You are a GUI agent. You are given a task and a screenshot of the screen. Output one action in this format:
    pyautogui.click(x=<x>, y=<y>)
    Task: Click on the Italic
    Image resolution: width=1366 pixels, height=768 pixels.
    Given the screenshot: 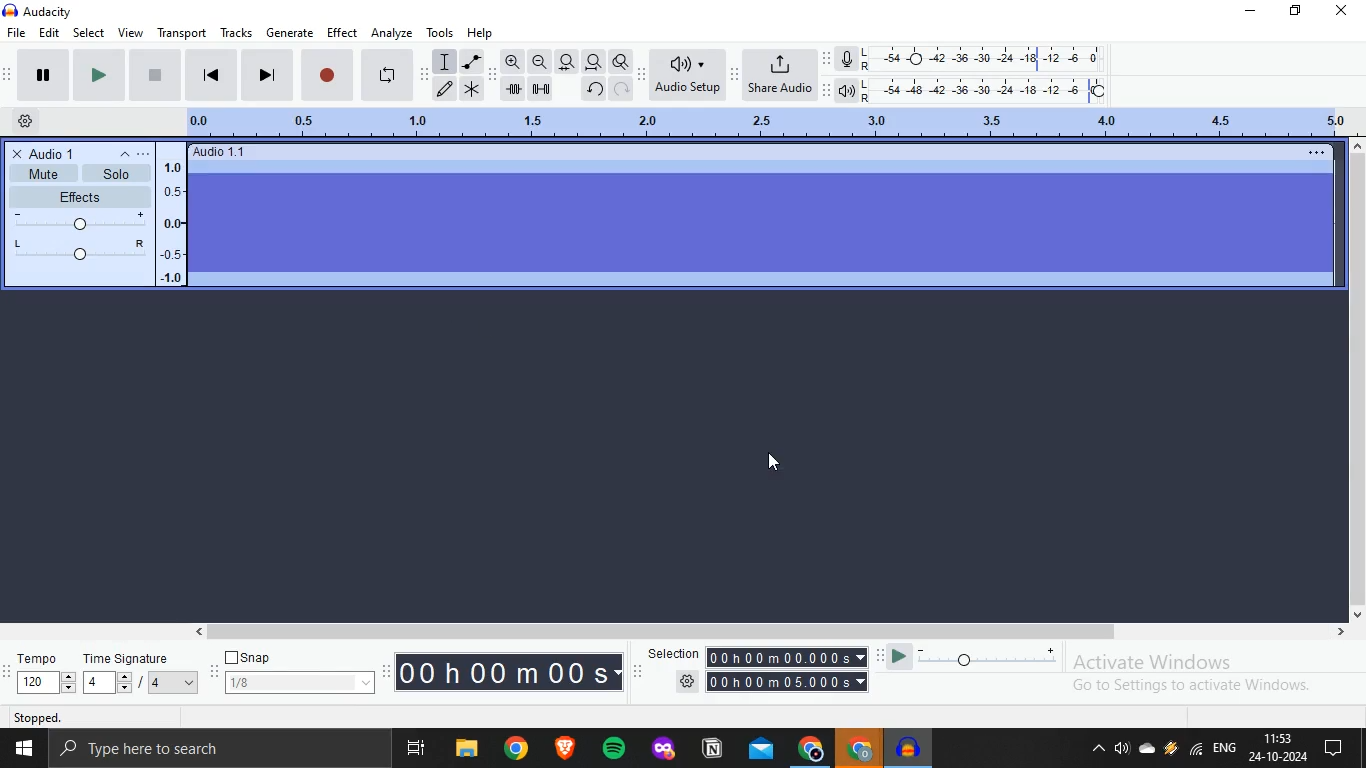 What is the action you would take?
    pyautogui.click(x=473, y=61)
    